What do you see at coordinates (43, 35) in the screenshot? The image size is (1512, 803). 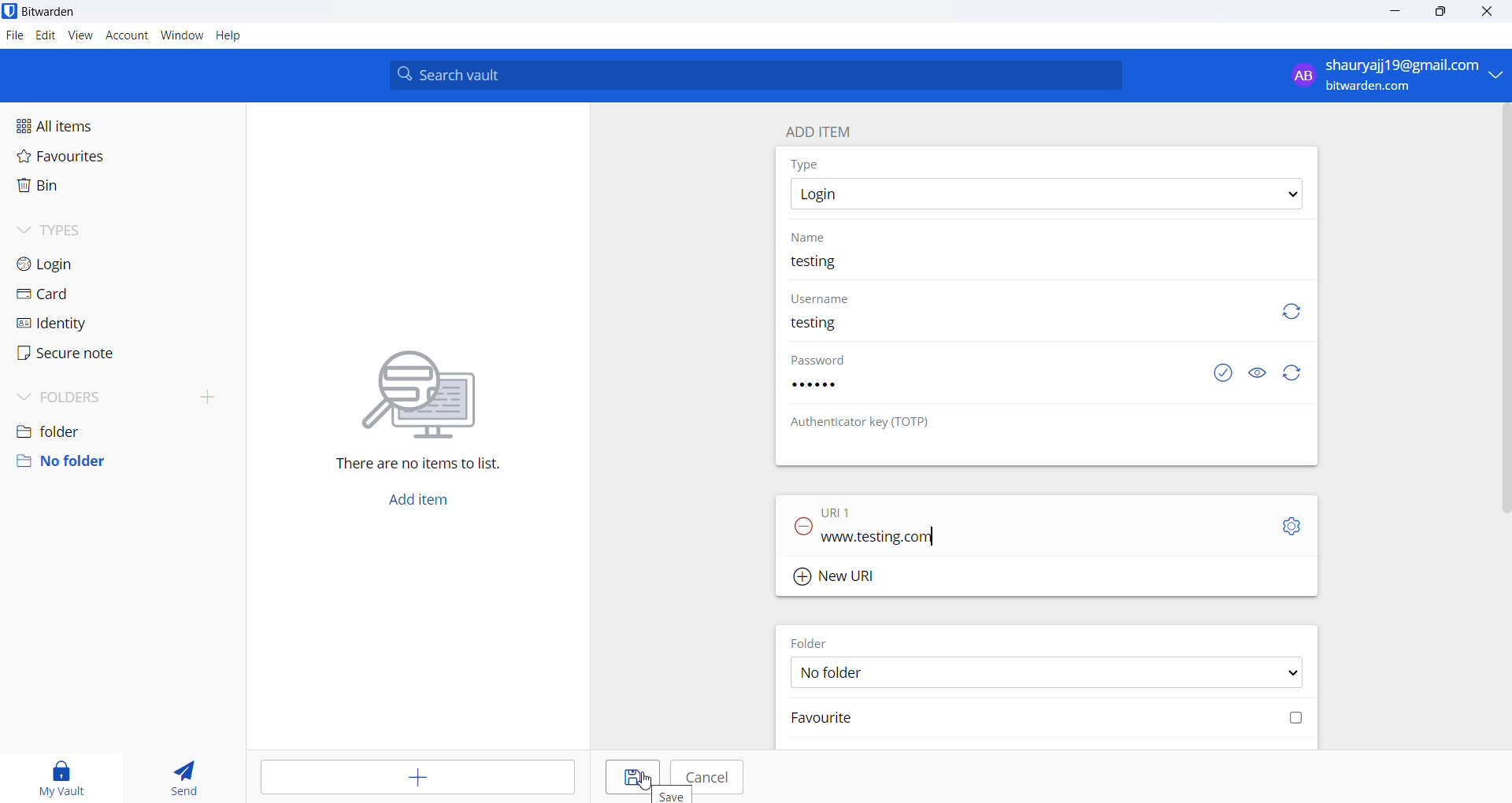 I see `edit` at bounding box center [43, 35].